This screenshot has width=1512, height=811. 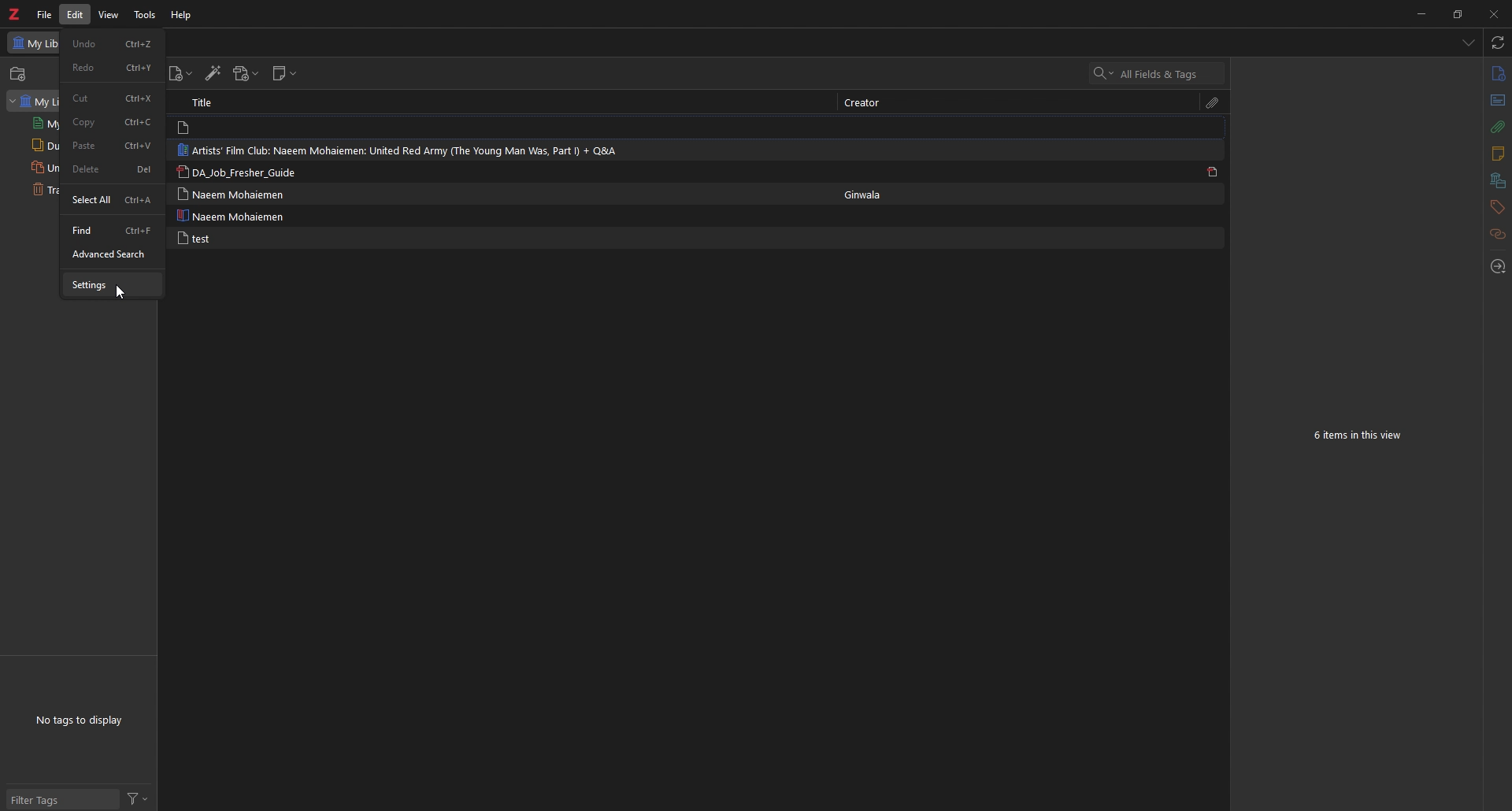 What do you see at coordinates (44, 14) in the screenshot?
I see `file` at bounding box center [44, 14].